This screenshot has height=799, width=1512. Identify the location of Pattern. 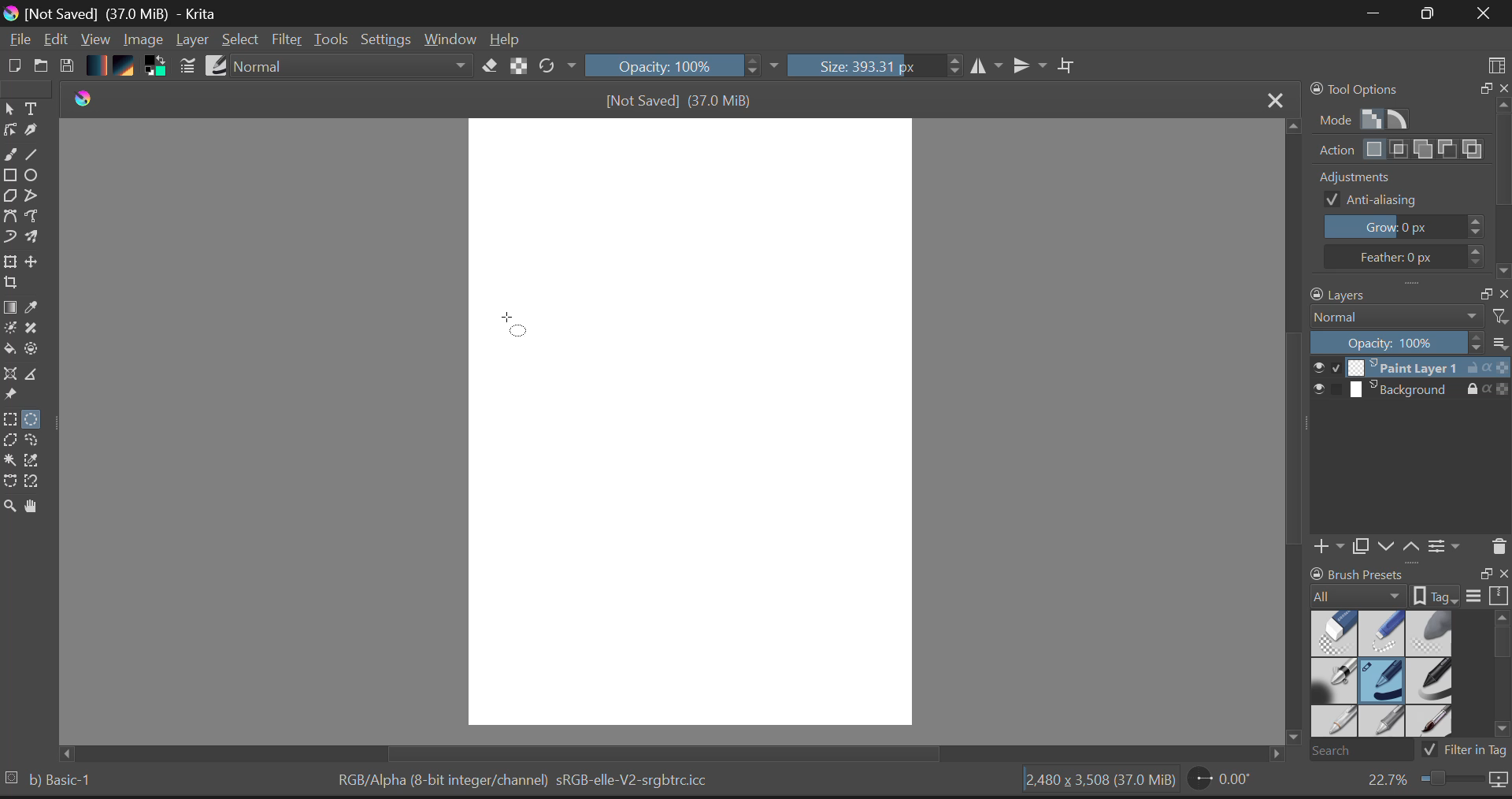
(127, 67).